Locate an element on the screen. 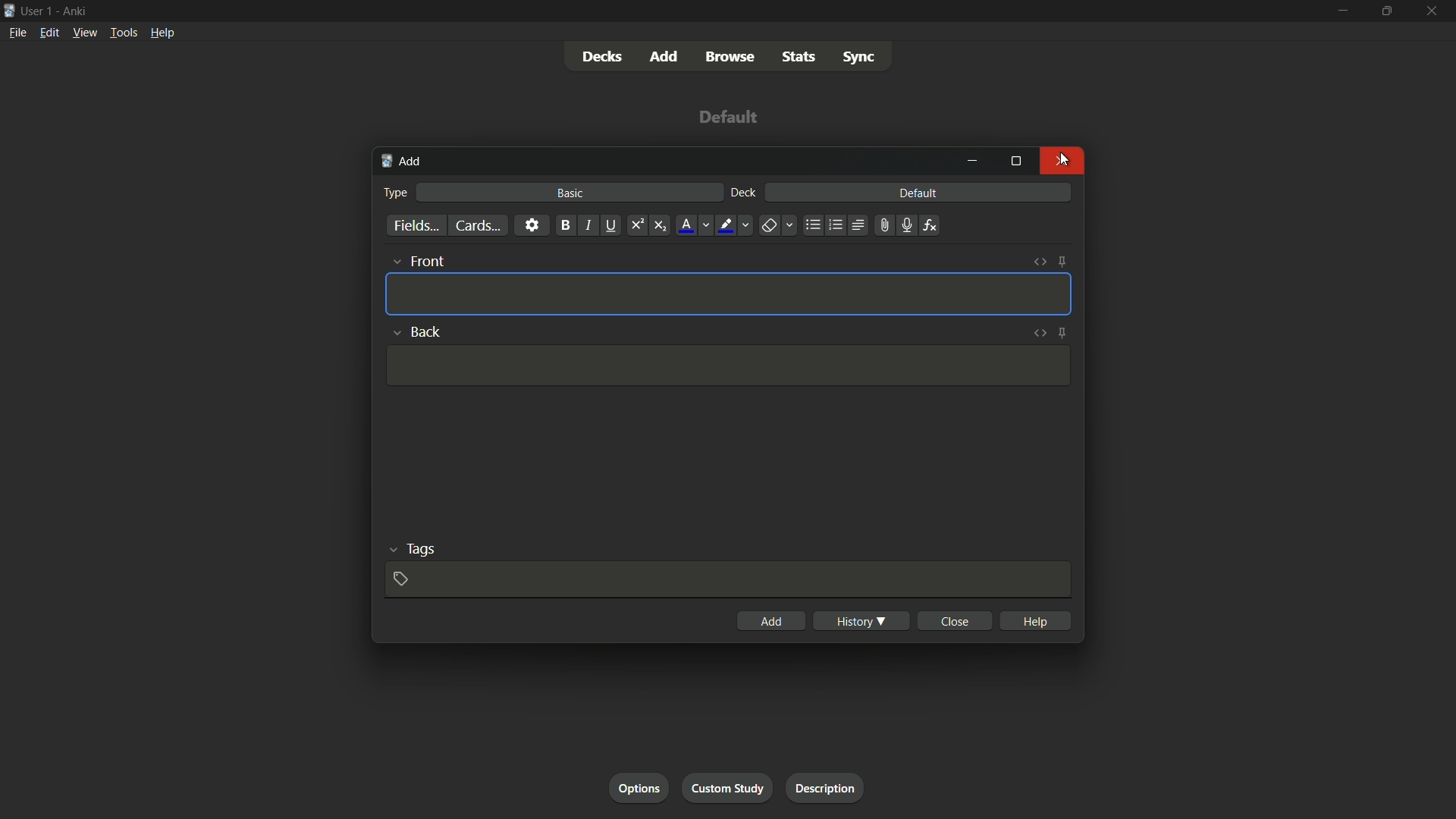  decks is located at coordinates (602, 58).